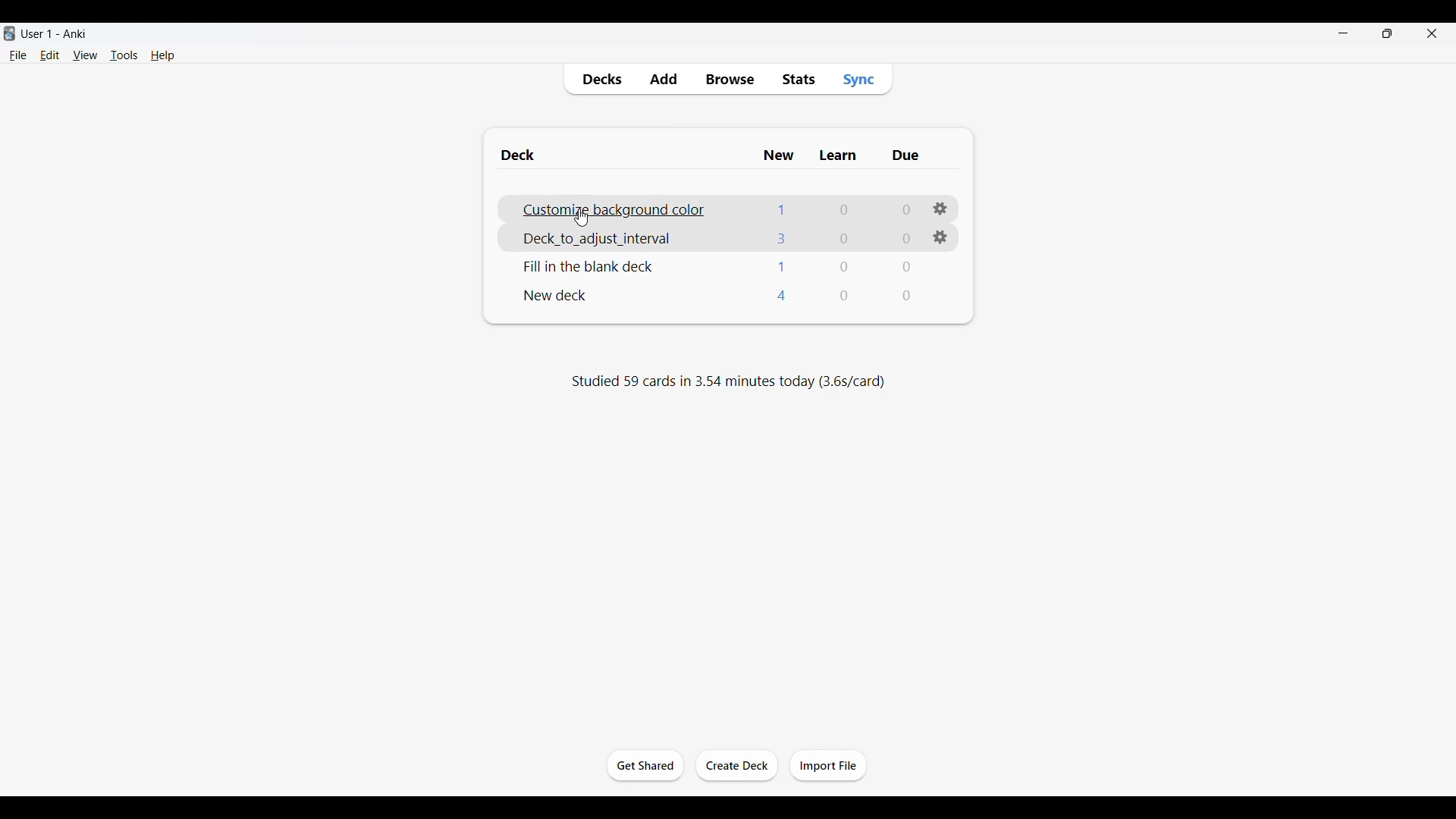  Describe the element at coordinates (606, 238) in the screenshot. I see `Deck list` at that location.